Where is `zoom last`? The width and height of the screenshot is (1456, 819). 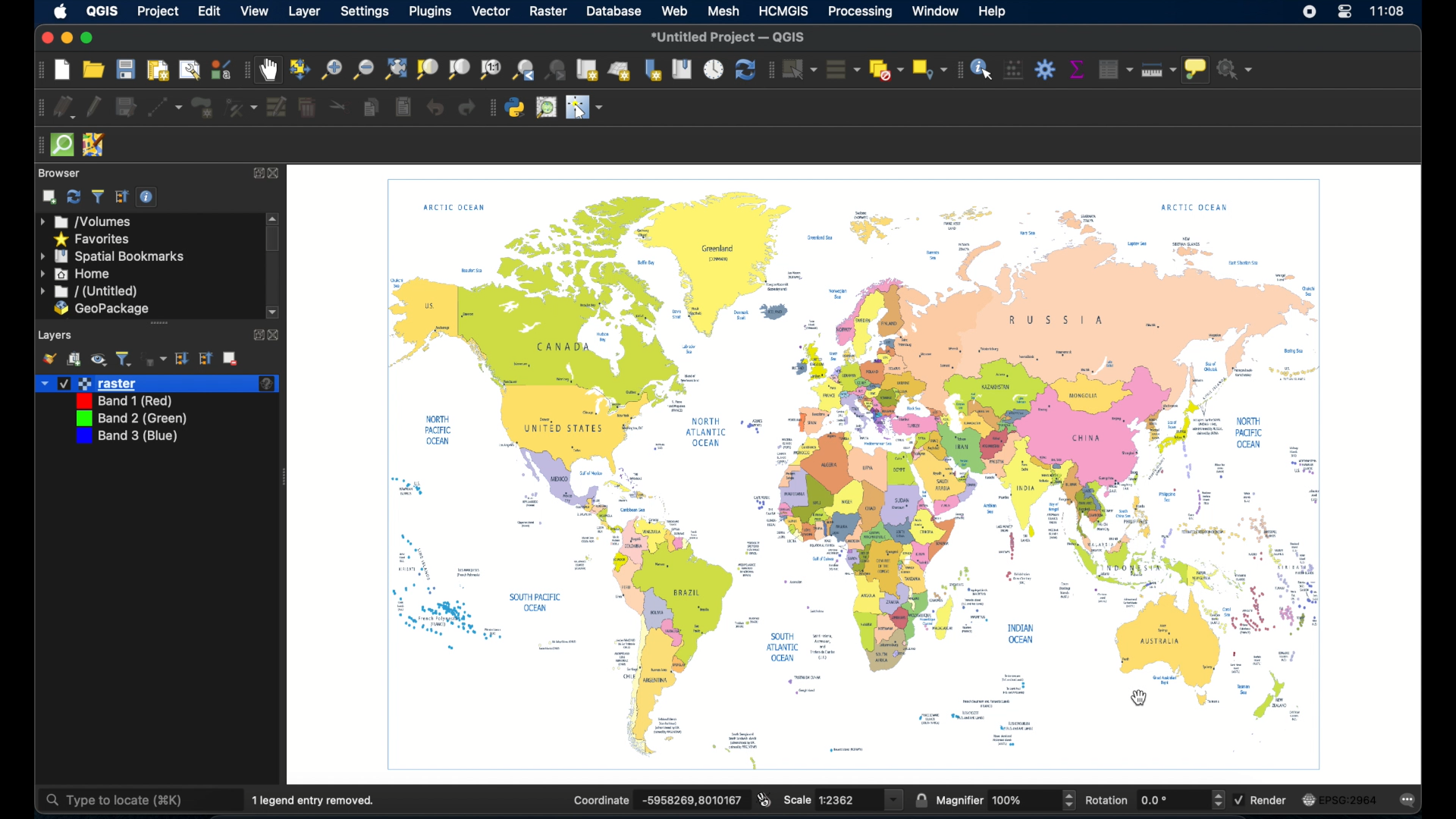
zoom last is located at coordinates (524, 69).